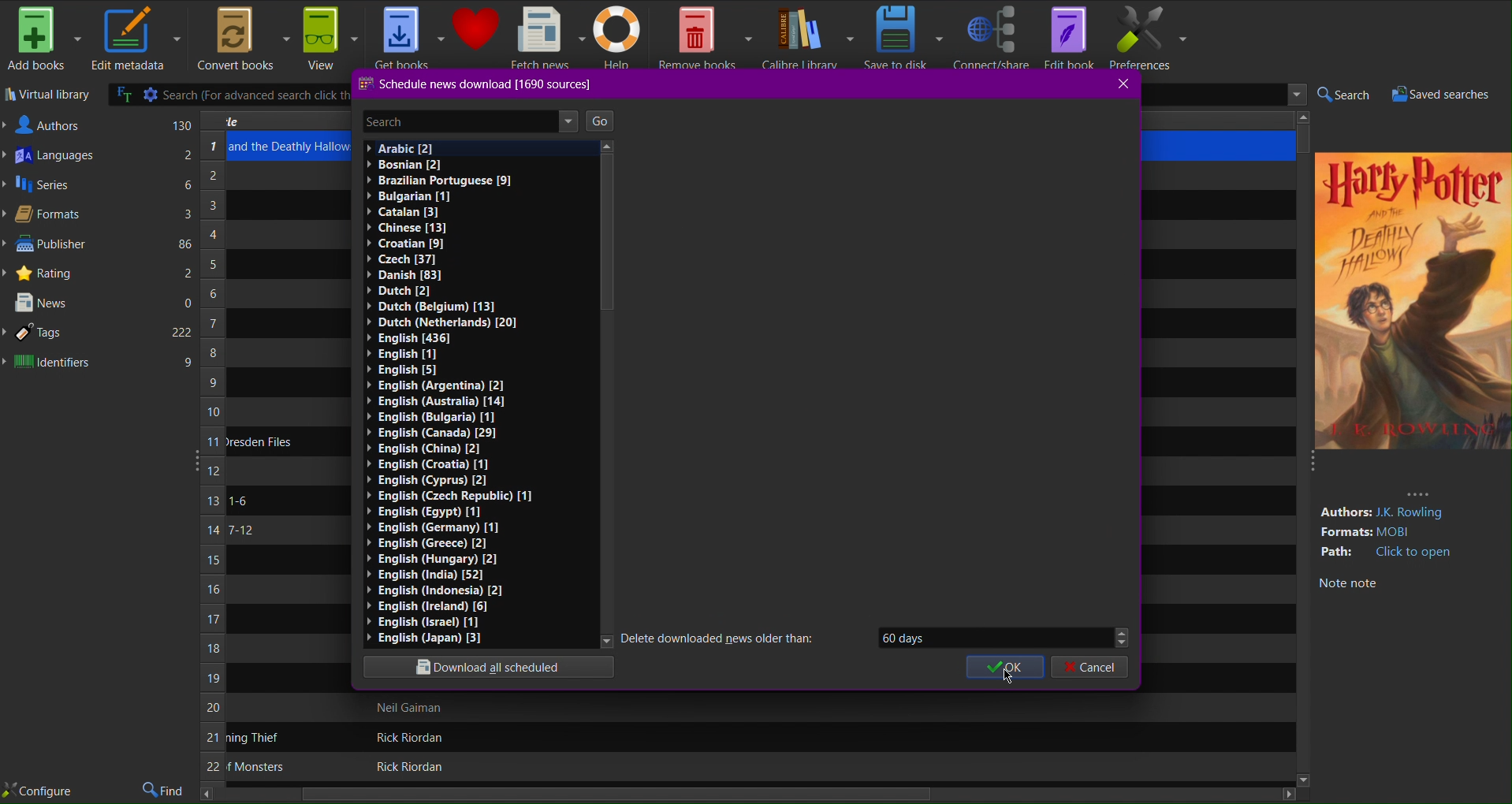 The width and height of the screenshot is (1512, 804). Describe the element at coordinates (422, 622) in the screenshot. I see `English (israel) [1]` at that location.